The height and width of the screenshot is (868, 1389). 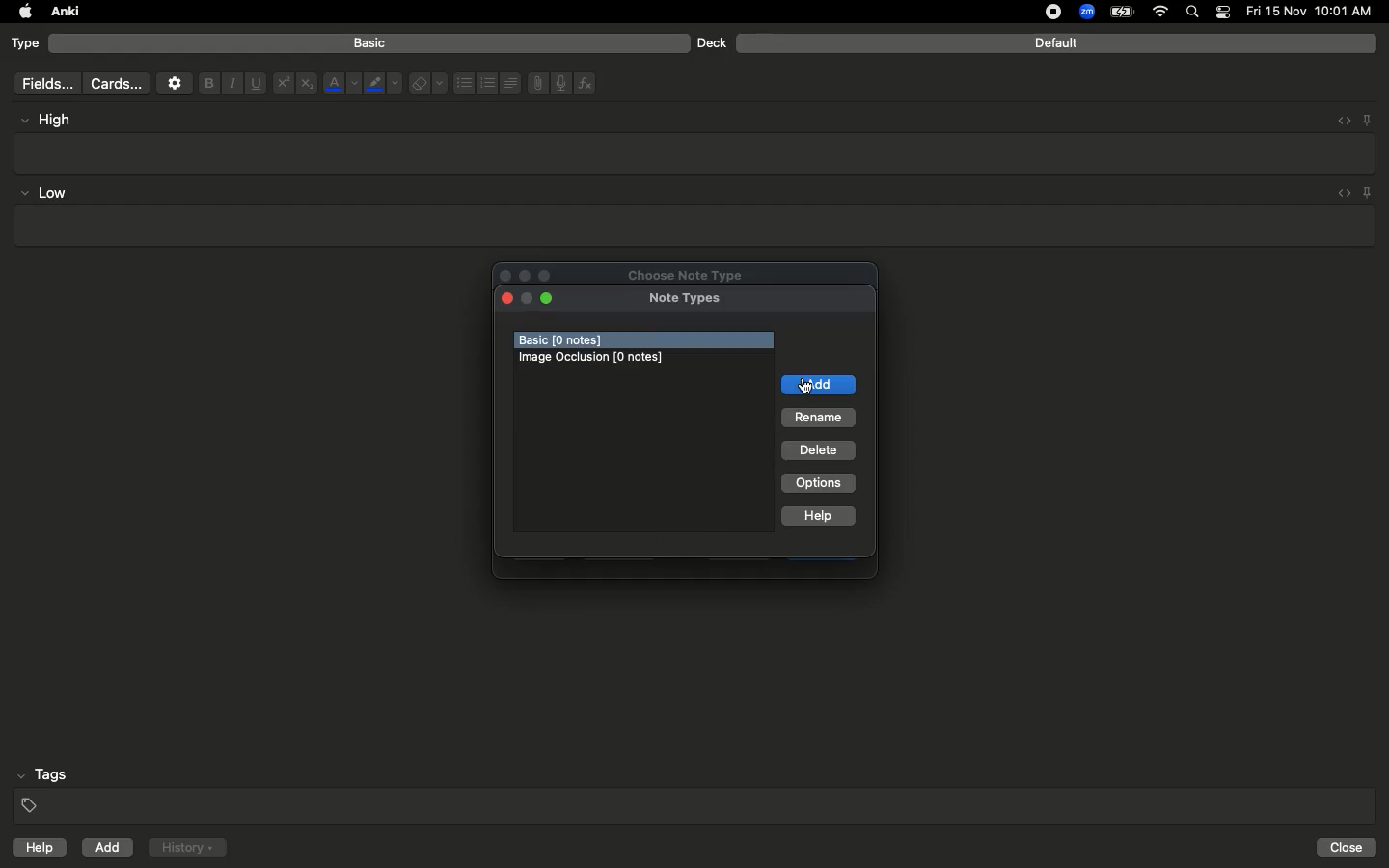 What do you see at coordinates (282, 84) in the screenshot?
I see `Superscript` at bounding box center [282, 84].